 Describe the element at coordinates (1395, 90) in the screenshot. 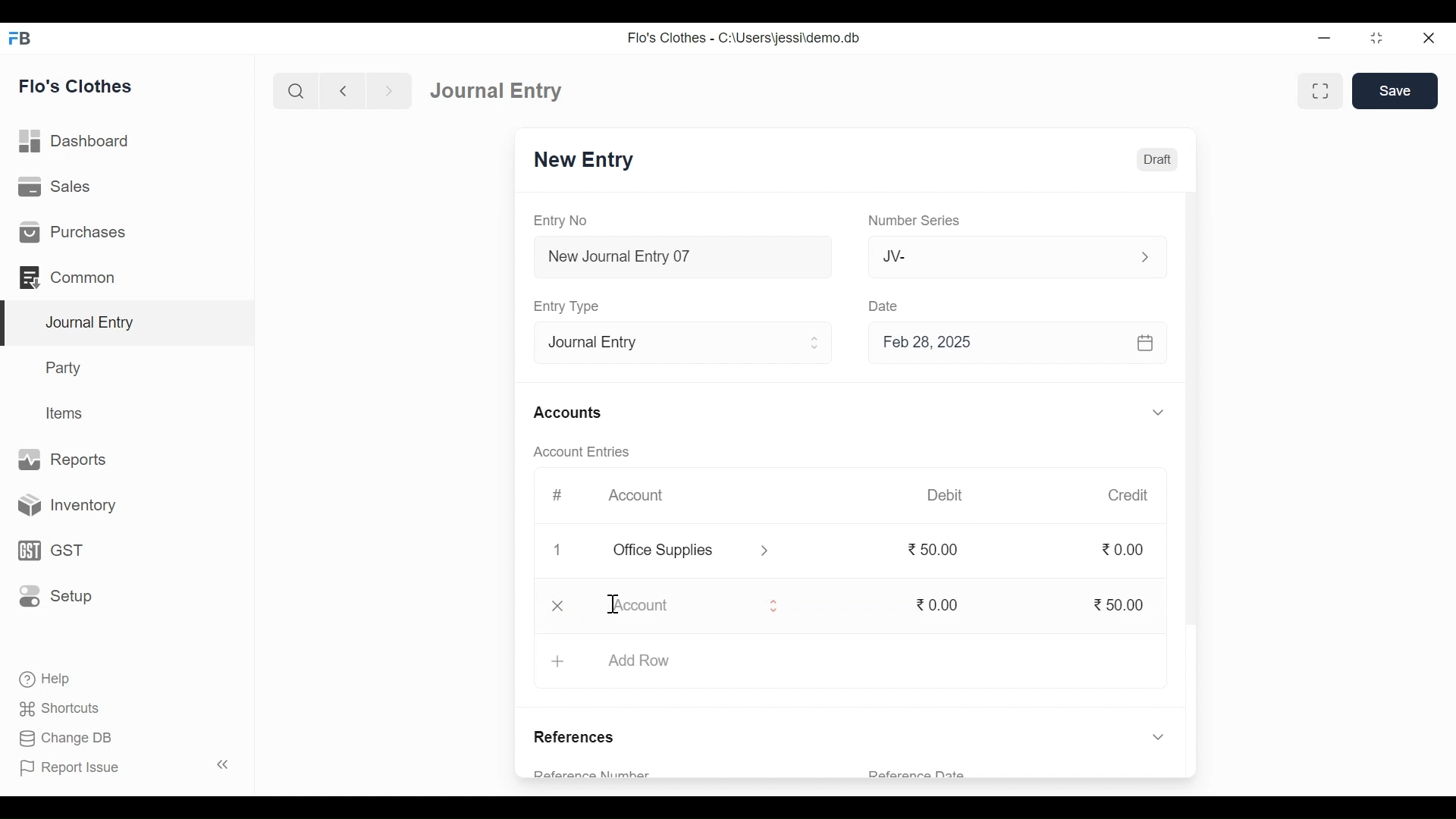

I see `Save` at that location.